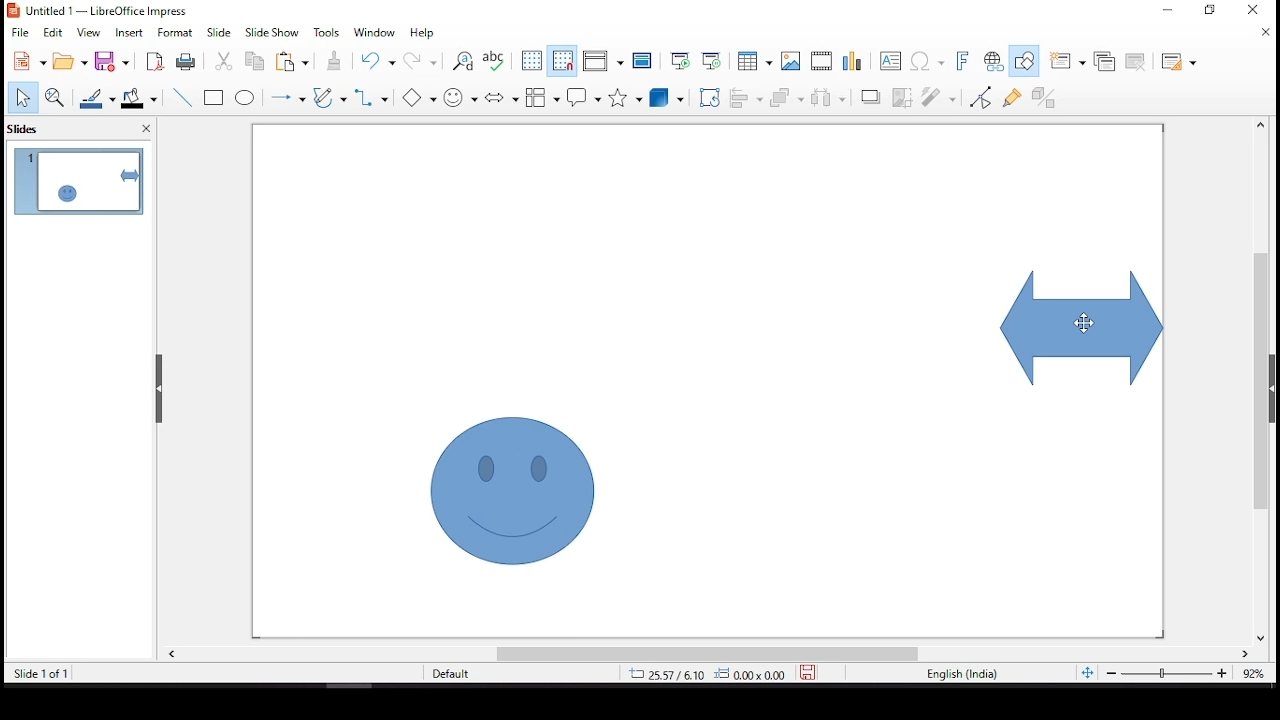  I want to click on close window, so click(1252, 10).